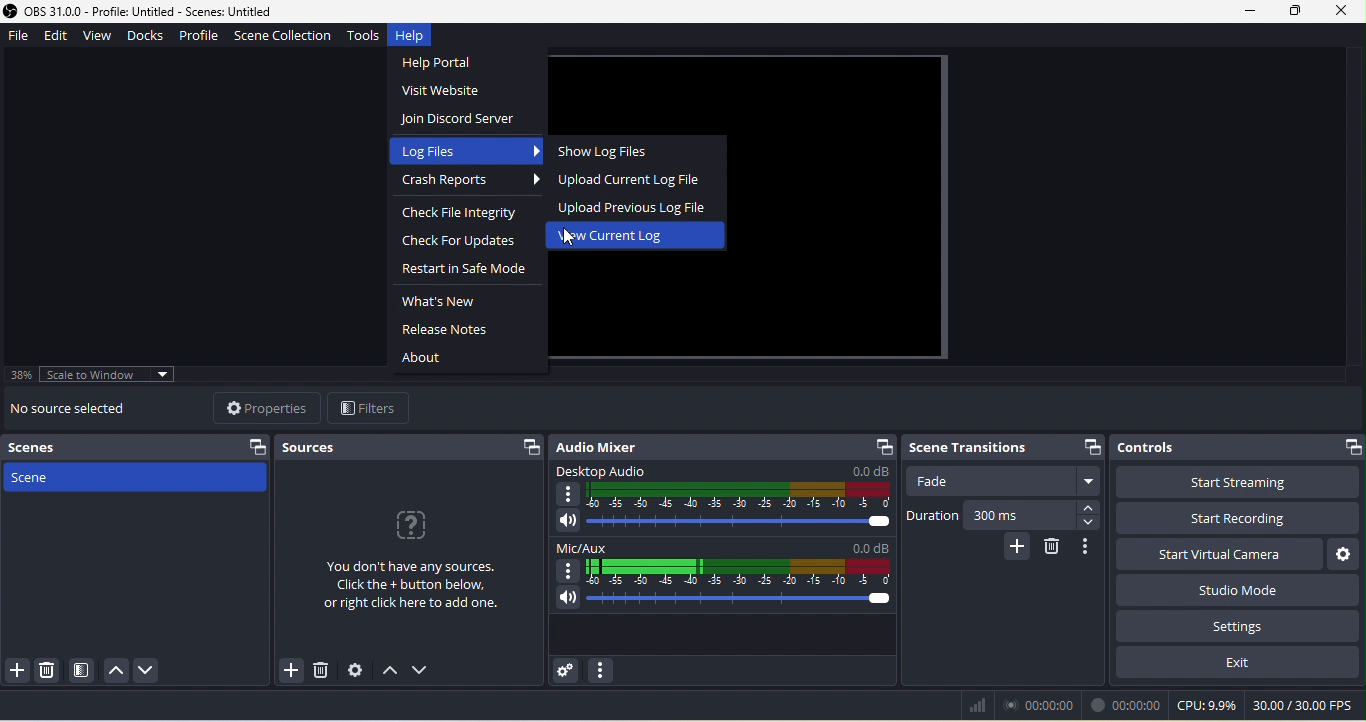 The height and width of the screenshot is (722, 1366). I want to click on 38%, so click(23, 375).